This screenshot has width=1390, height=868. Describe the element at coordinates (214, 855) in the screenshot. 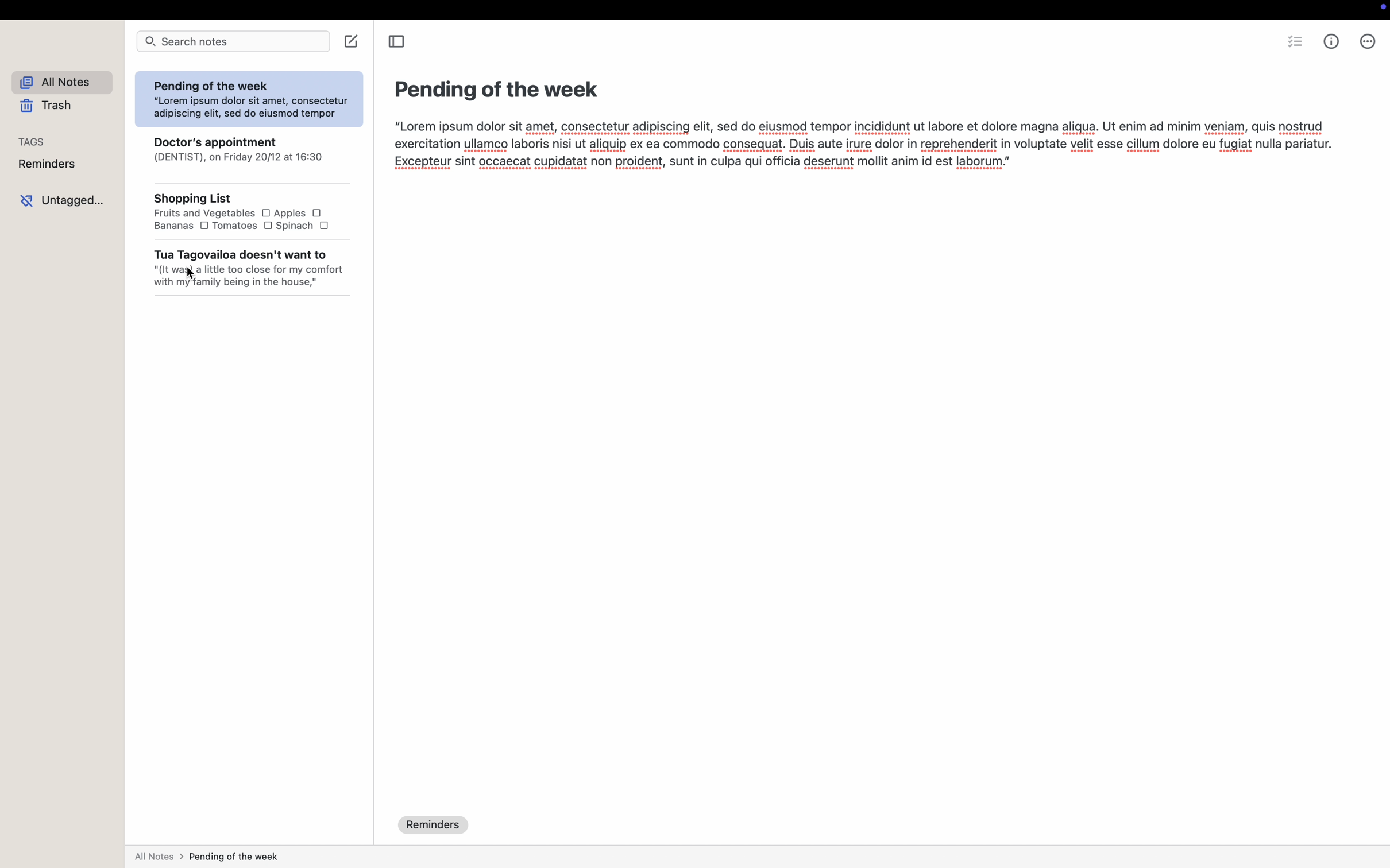

I see `all notes > pending of the week` at that location.